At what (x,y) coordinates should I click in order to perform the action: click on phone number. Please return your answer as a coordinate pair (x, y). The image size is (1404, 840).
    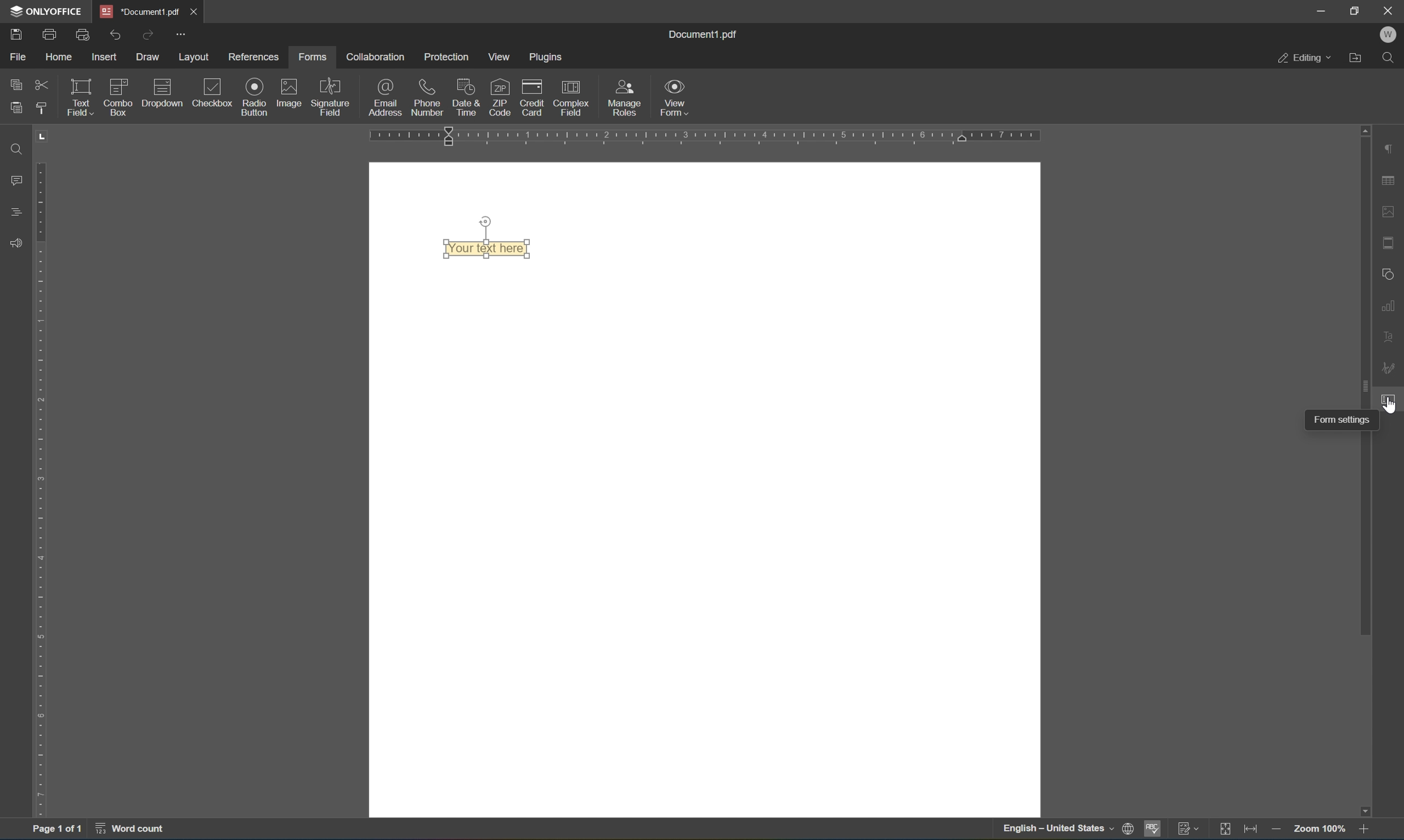
    Looking at the image, I should click on (427, 97).